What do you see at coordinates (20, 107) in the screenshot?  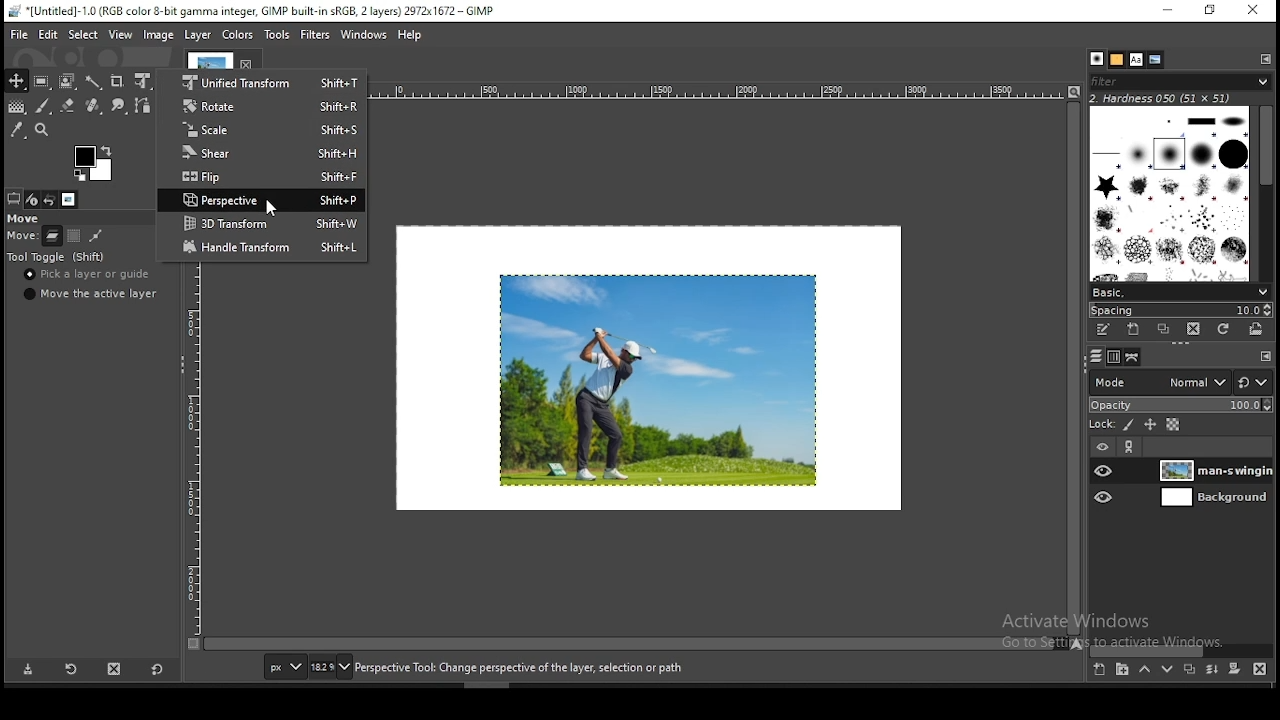 I see `gradient tool` at bounding box center [20, 107].